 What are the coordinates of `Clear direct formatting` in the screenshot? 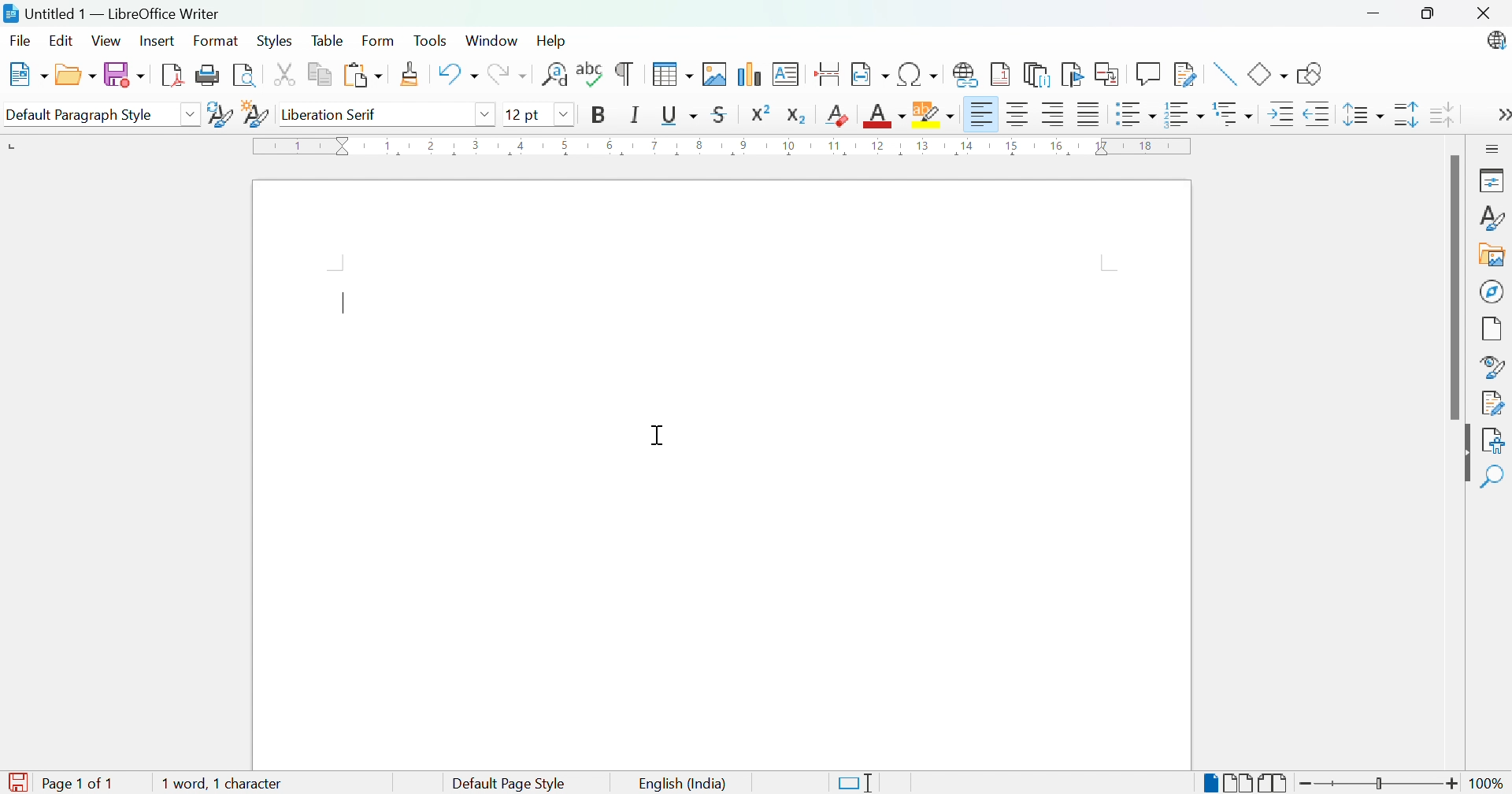 It's located at (837, 116).